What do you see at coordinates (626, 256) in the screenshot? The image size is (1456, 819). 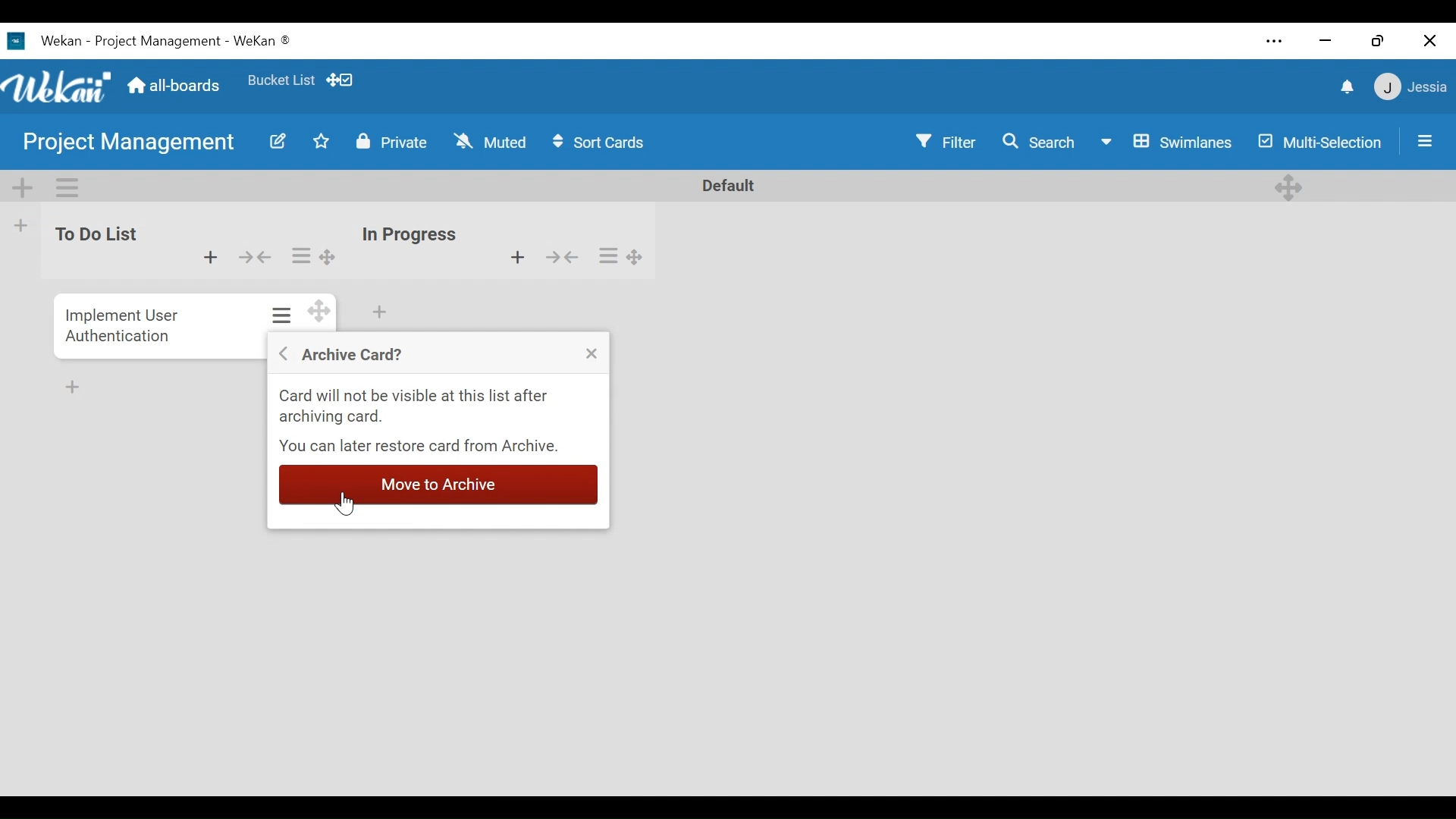 I see `options` at bounding box center [626, 256].